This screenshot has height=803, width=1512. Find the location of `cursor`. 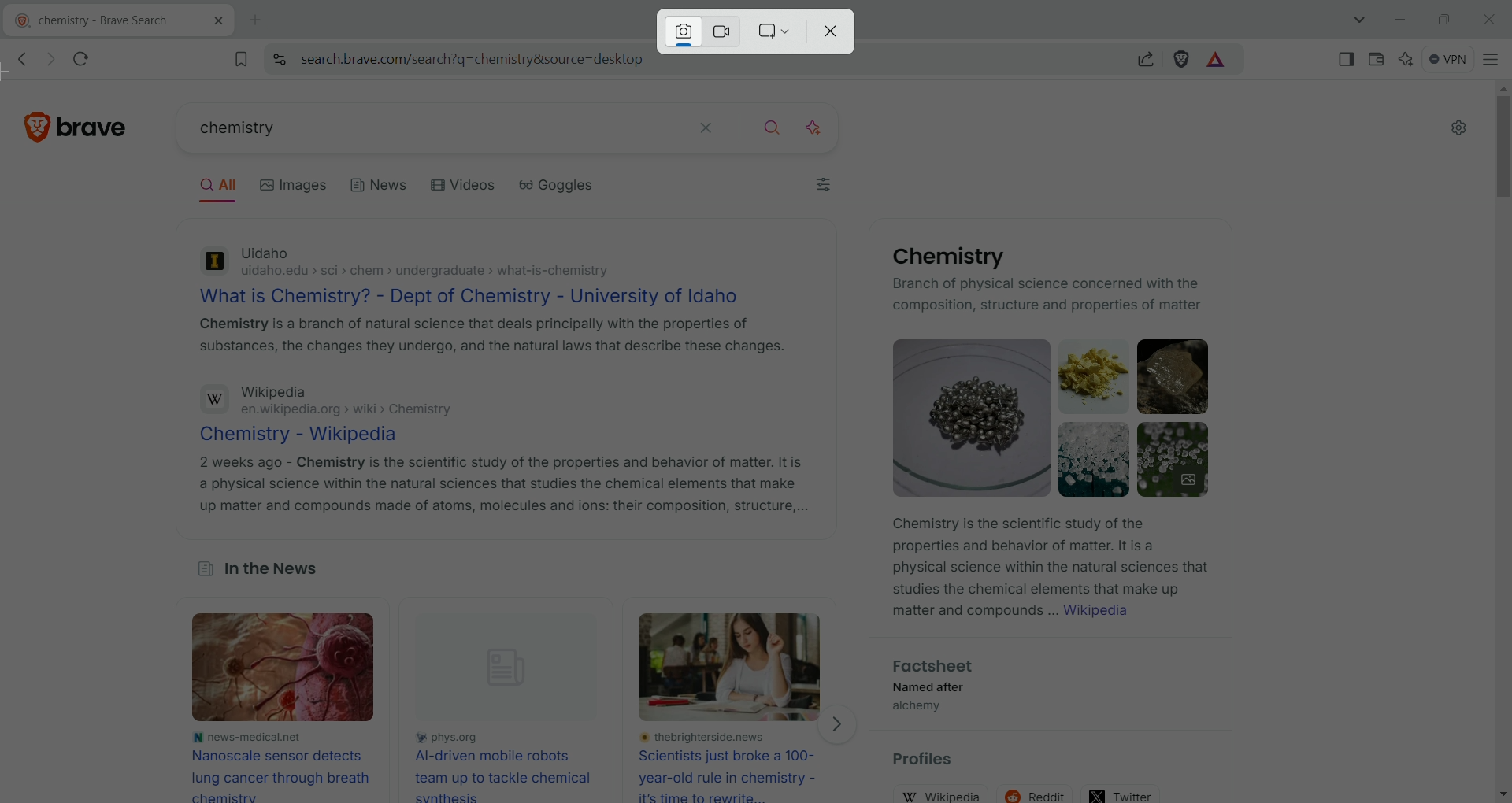

cursor is located at coordinates (17, 75).